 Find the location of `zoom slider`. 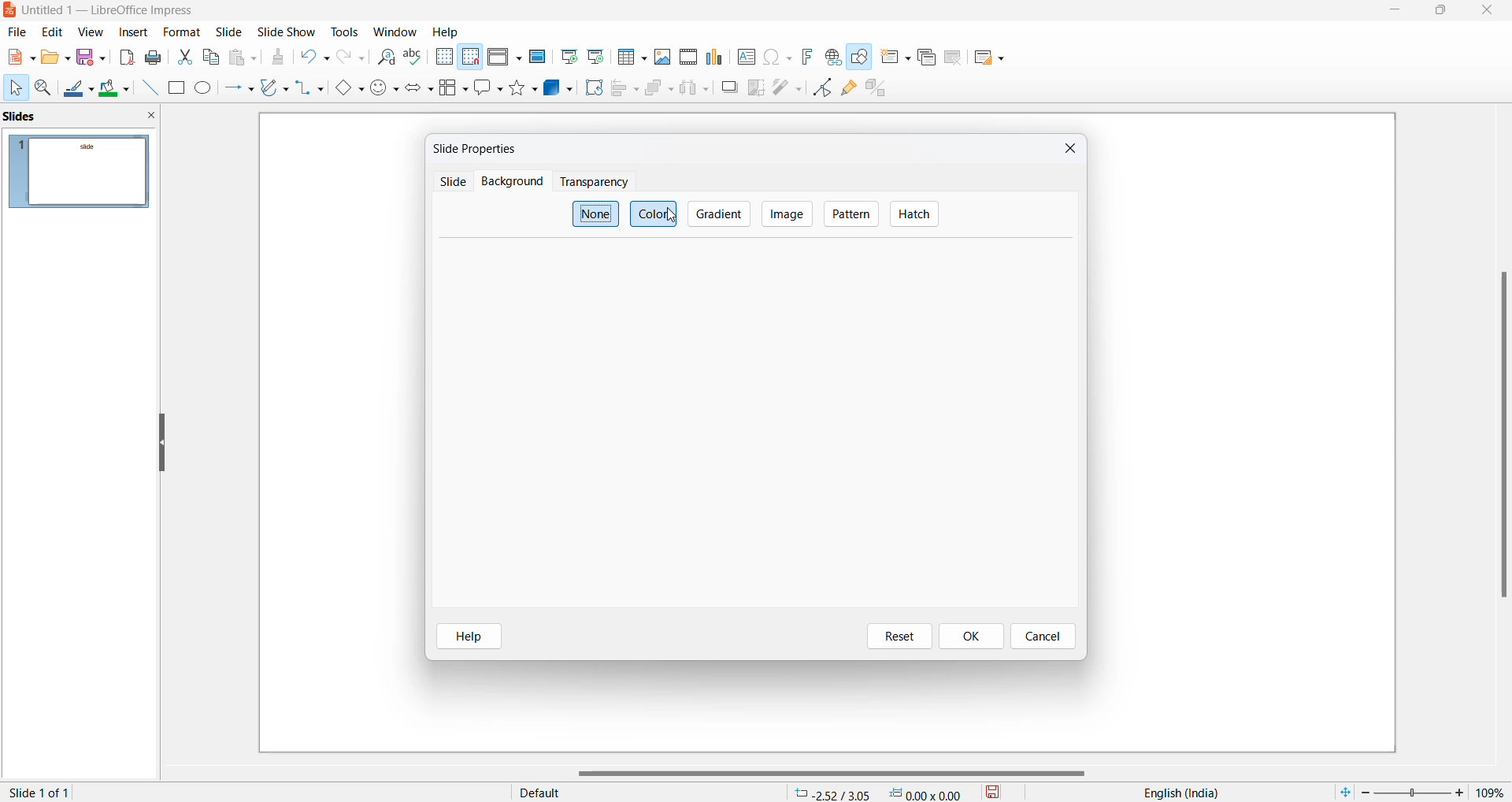

zoom slider is located at coordinates (1412, 791).